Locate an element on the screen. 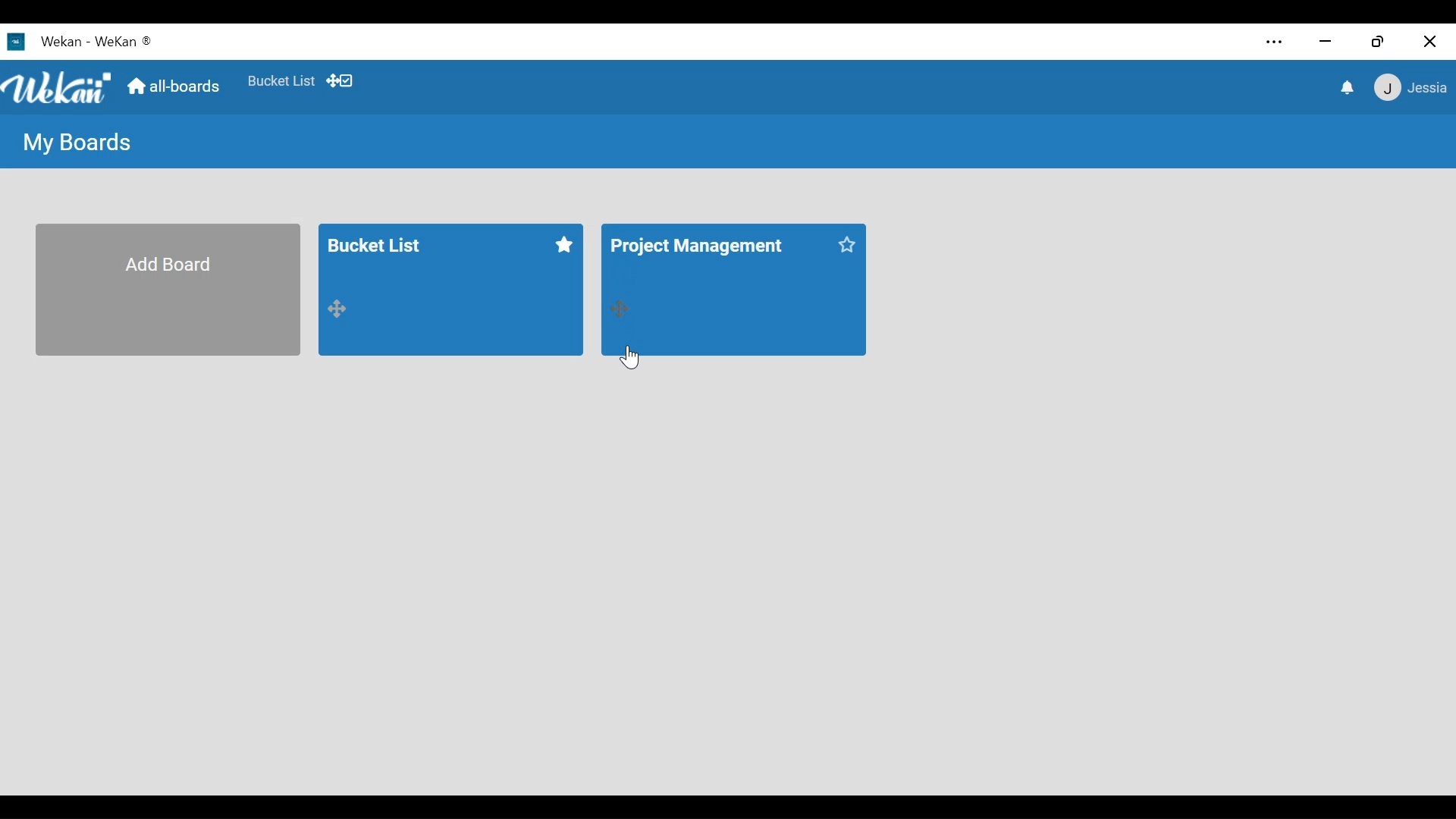  star is located at coordinates (565, 246).